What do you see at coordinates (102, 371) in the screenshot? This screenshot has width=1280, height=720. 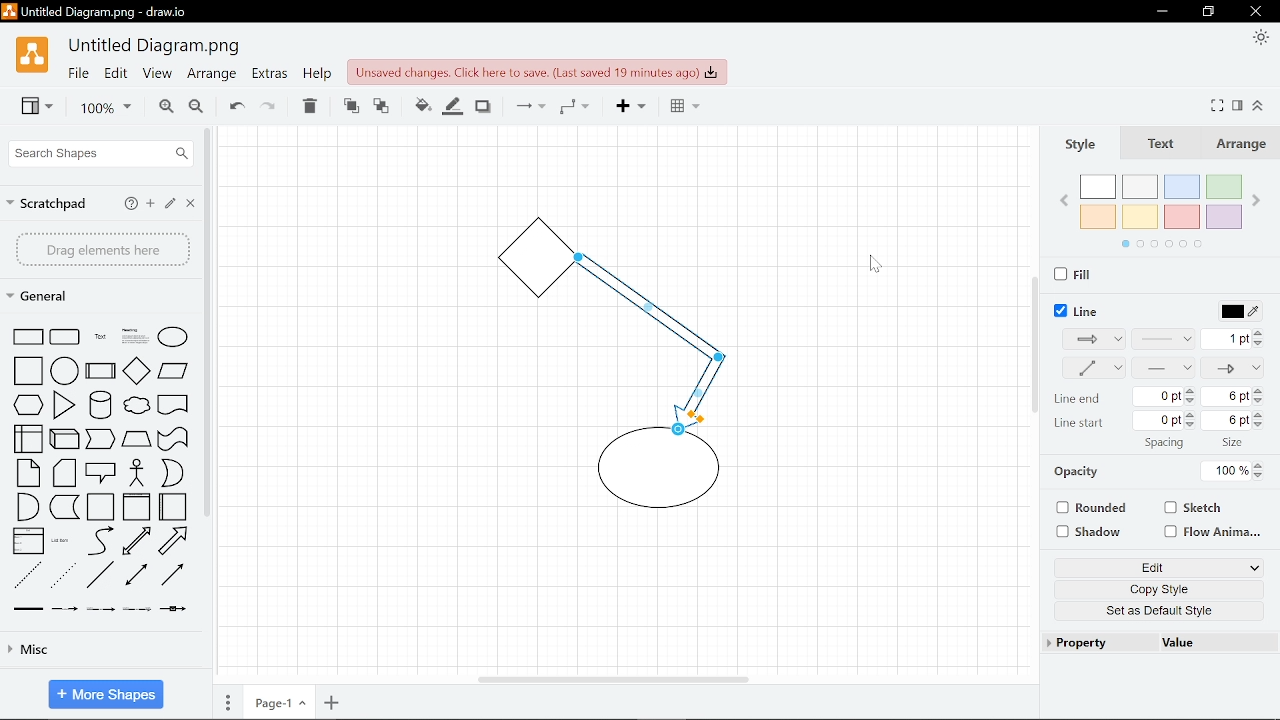 I see `shape` at bounding box center [102, 371].